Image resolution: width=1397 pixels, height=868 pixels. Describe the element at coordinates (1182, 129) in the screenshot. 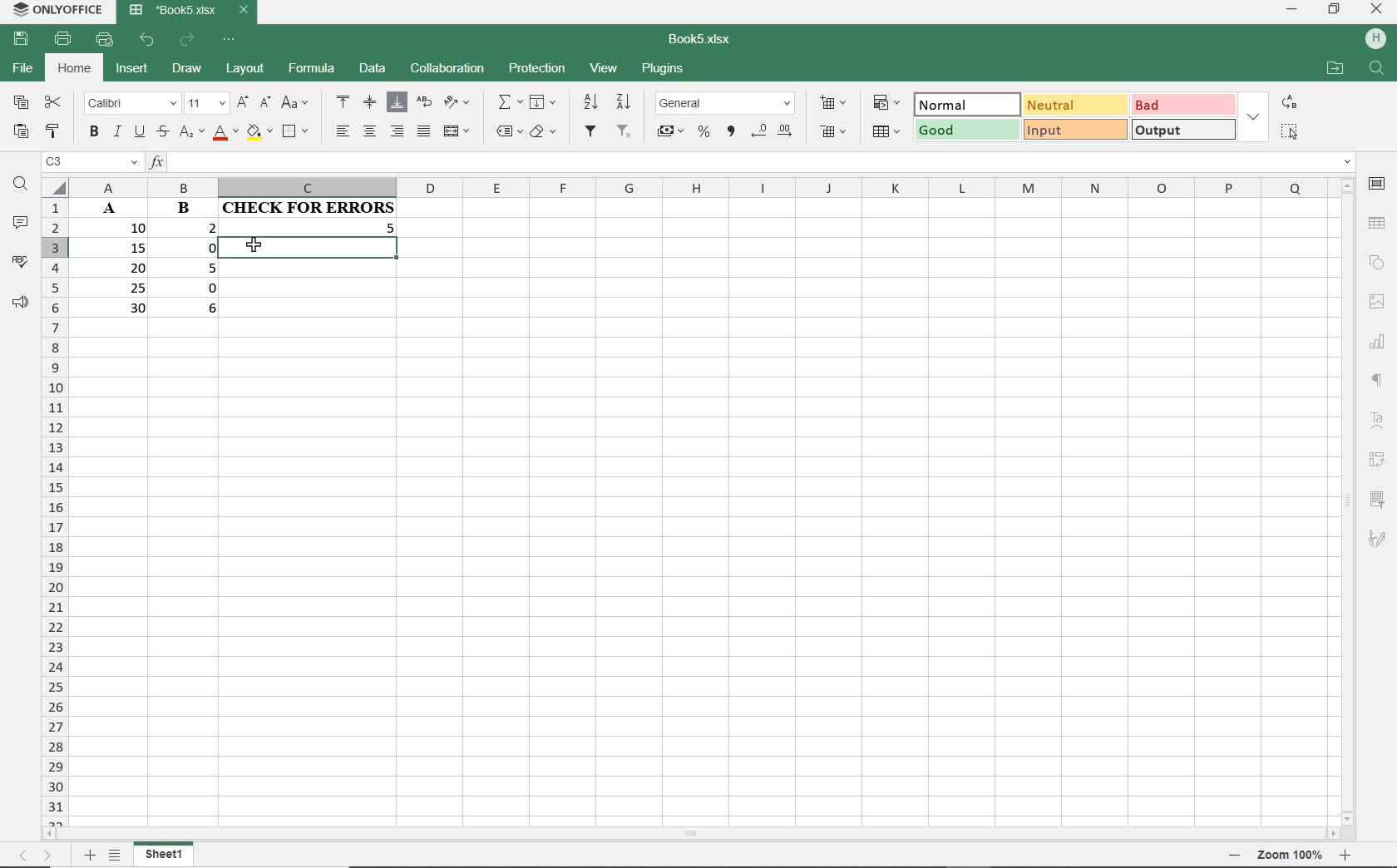

I see `OUTPUT` at that location.